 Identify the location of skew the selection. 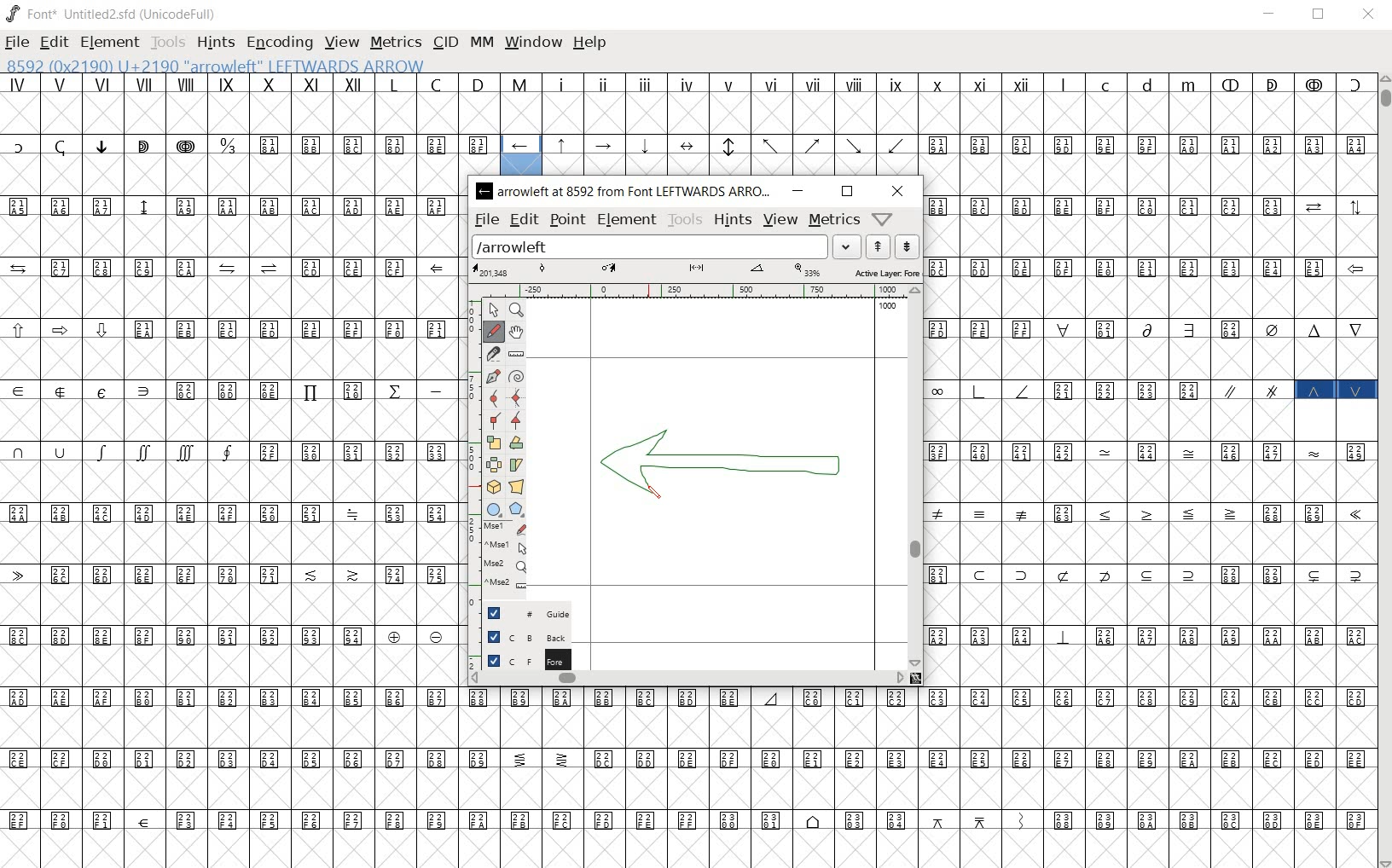
(517, 465).